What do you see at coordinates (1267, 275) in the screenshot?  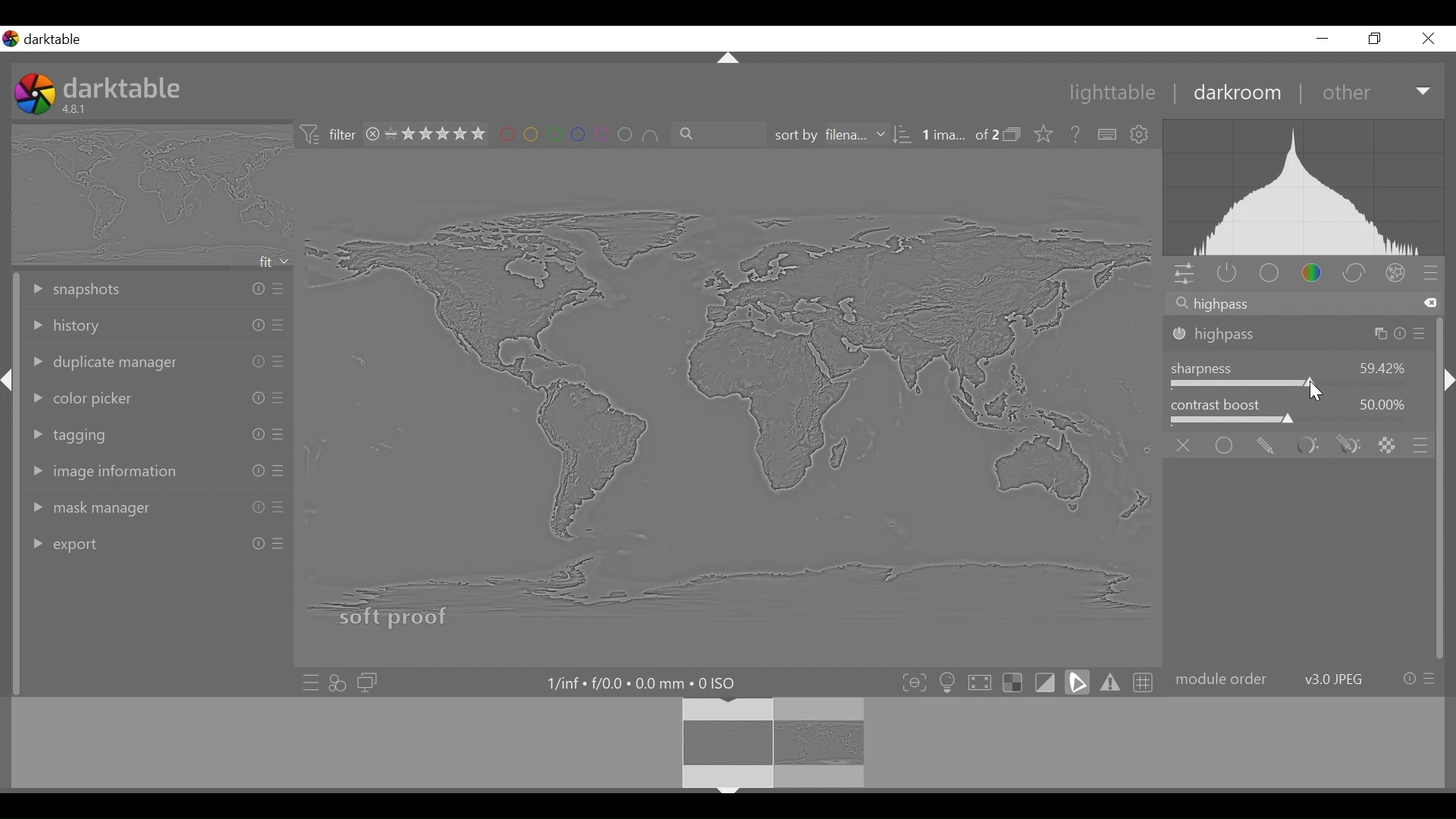 I see `base` at bounding box center [1267, 275].